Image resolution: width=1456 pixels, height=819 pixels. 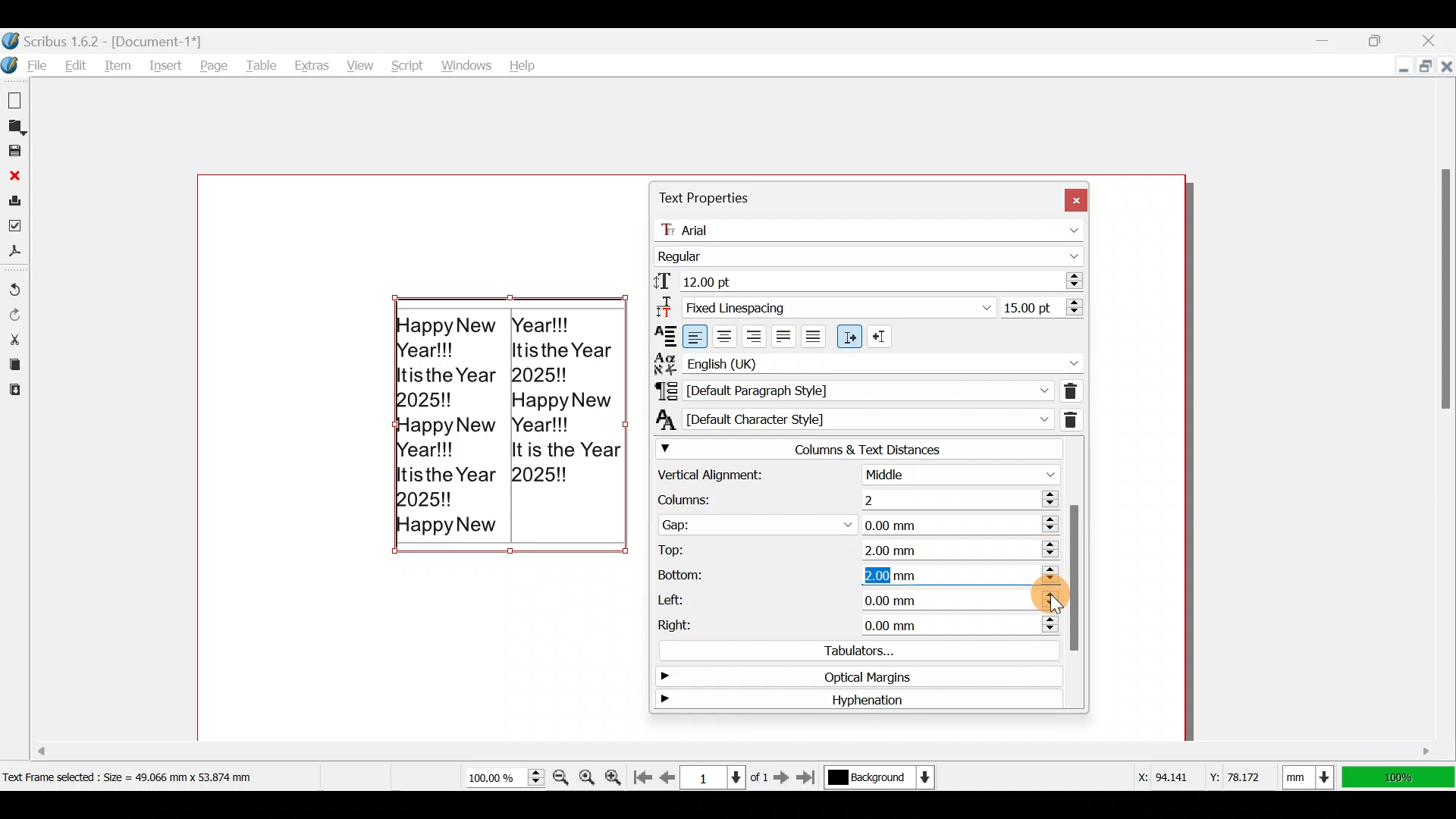 What do you see at coordinates (1075, 198) in the screenshot?
I see `Close` at bounding box center [1075, 198].